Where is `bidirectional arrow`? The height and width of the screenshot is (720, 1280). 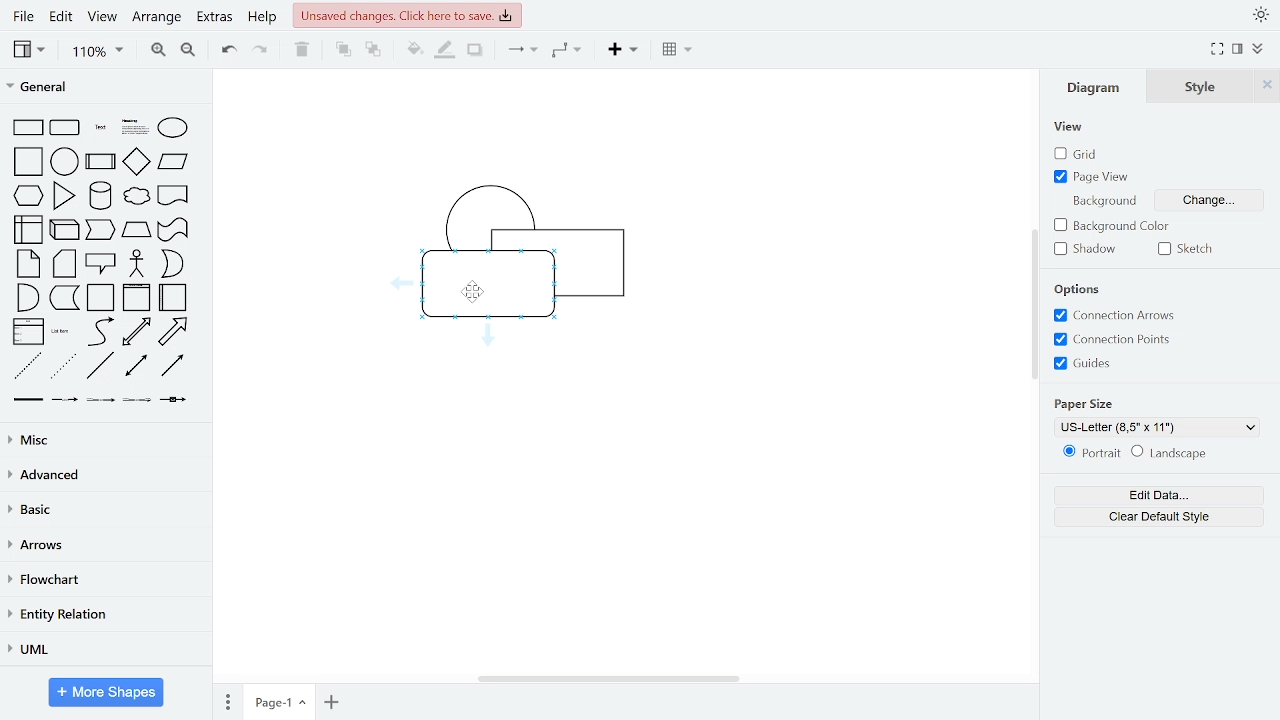
bidirectional arrow is located at coordinates (137, 333).